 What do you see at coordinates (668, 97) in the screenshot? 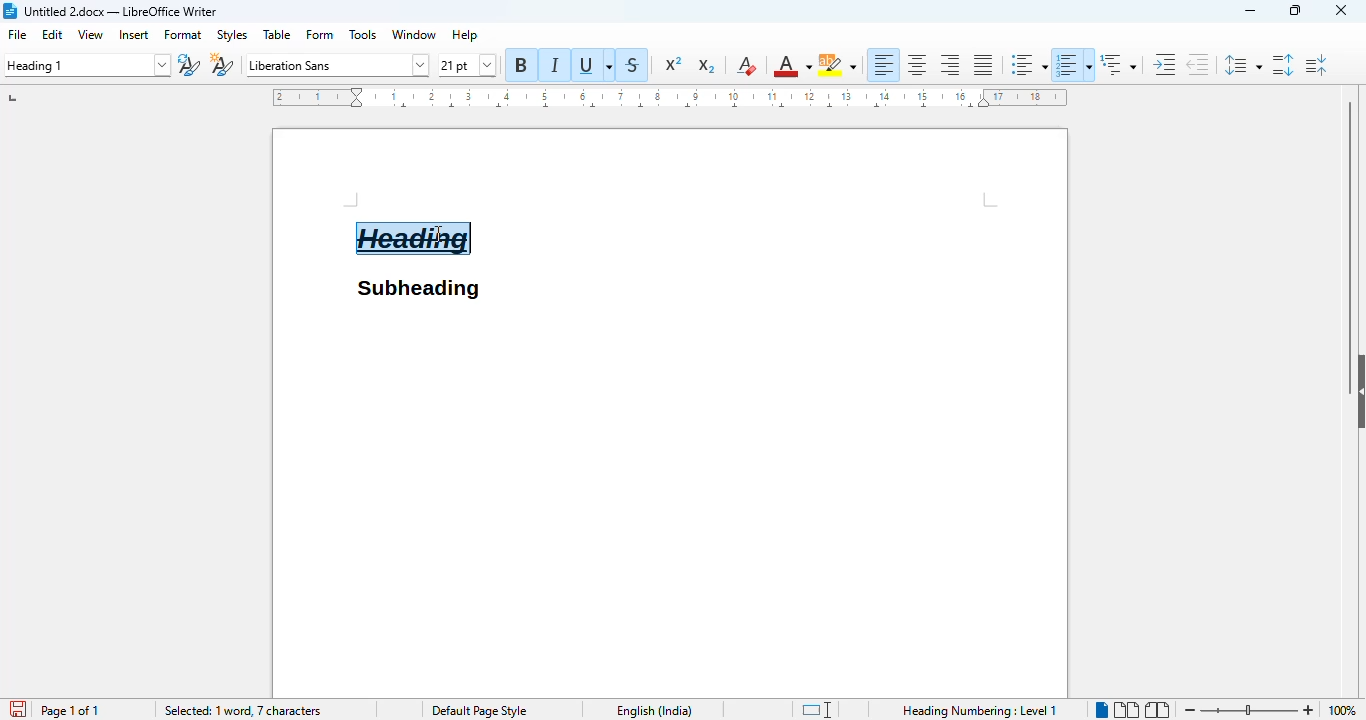
I see `ruler` at bounding box center [668, 97].